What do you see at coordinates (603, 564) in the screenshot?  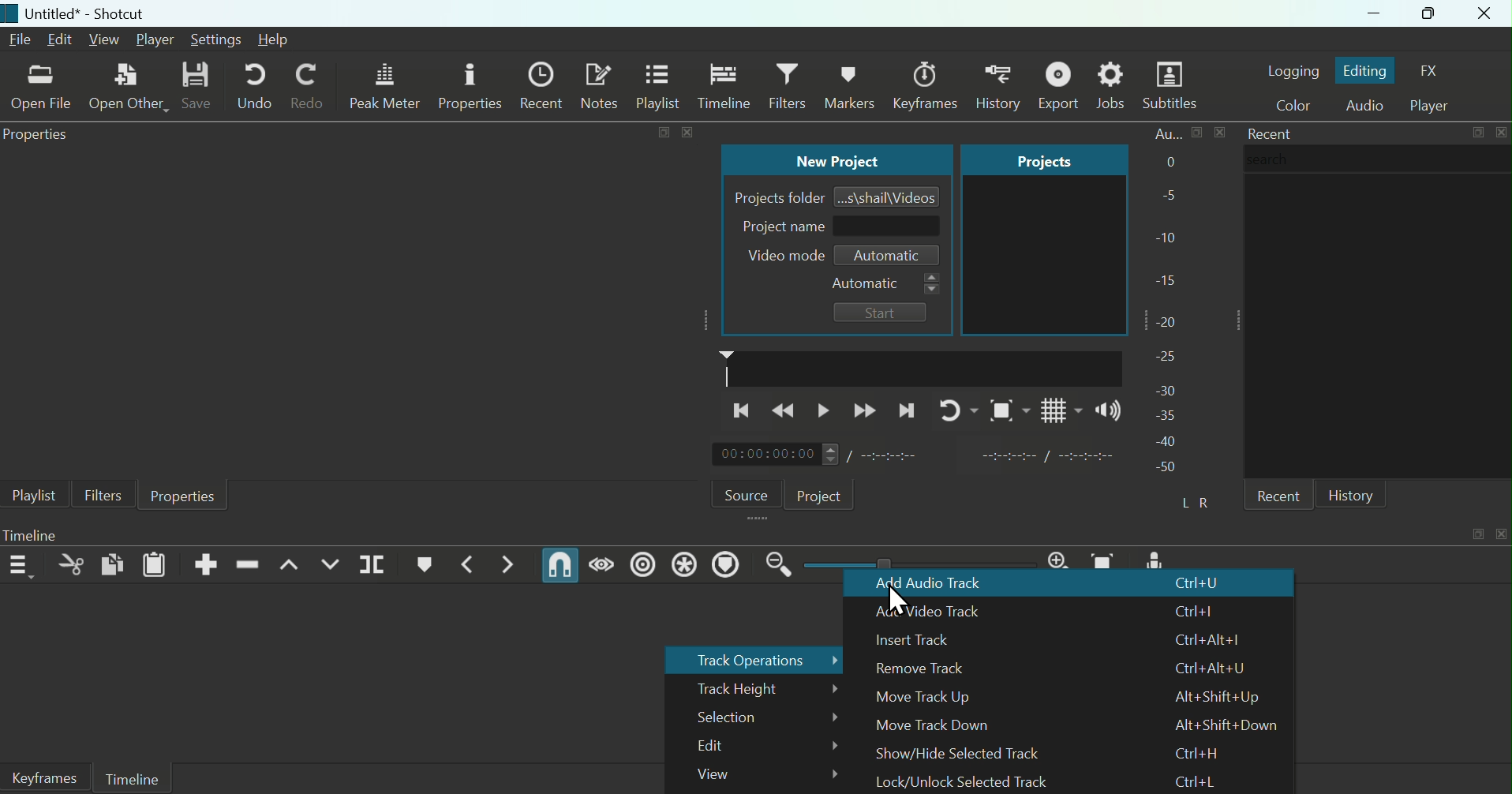 I see `scrub while dragging` at bounding box center [603, 564].